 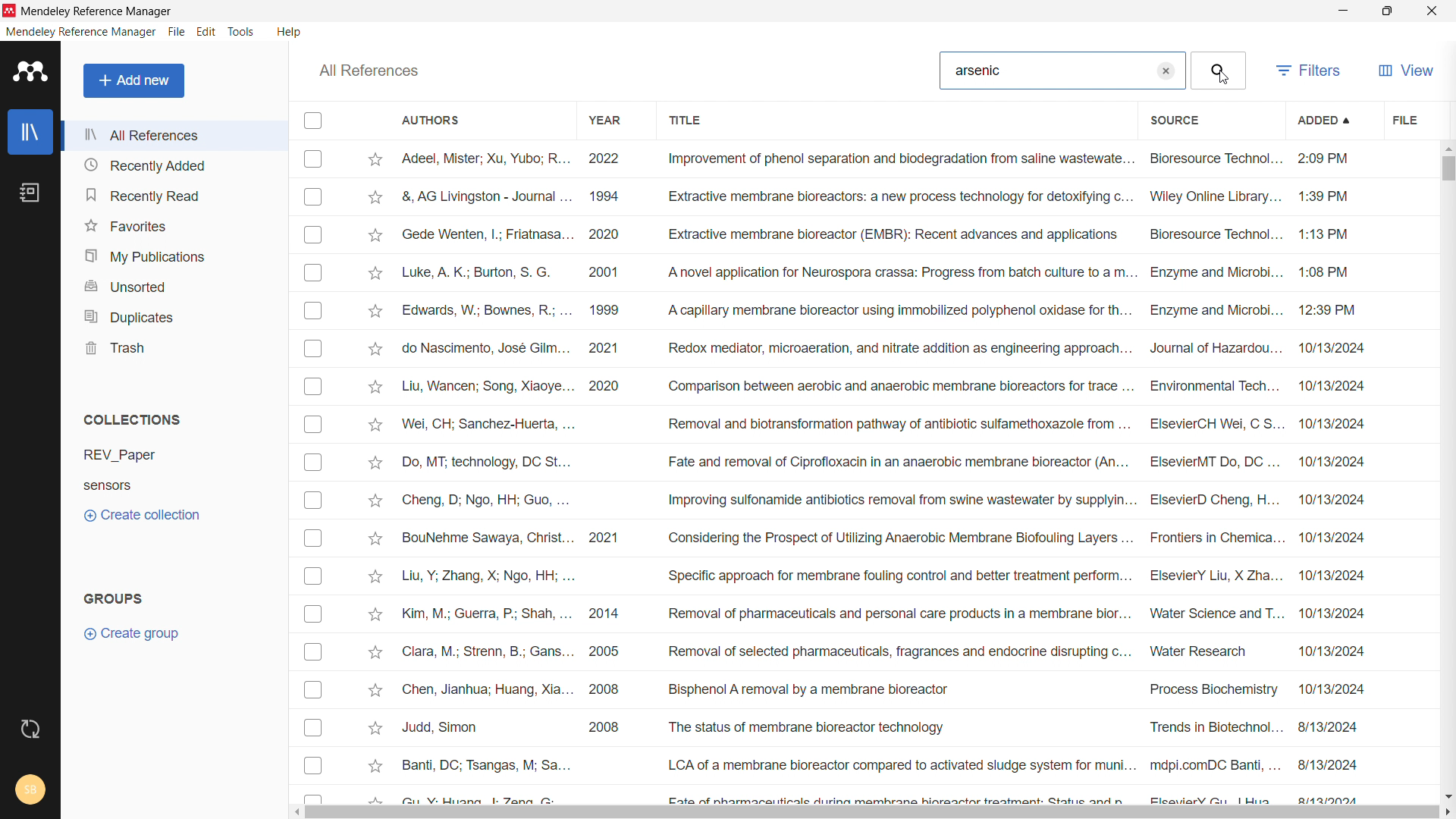 I want to click on create group, so click(x=175, y=632).